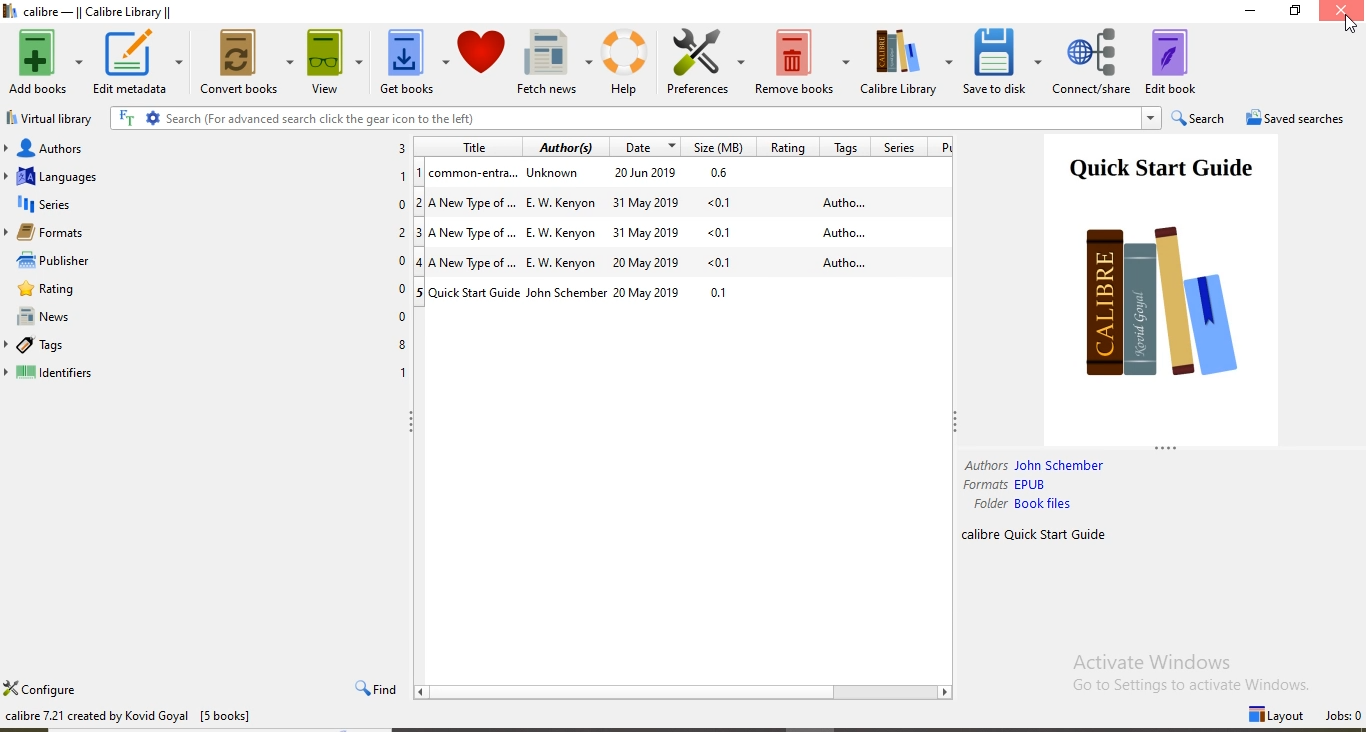 The image size is (1366, 732). What do you see at coordinates (716, 174) in the screenshot?
I see `0.6` at bounding box center [716, 174].